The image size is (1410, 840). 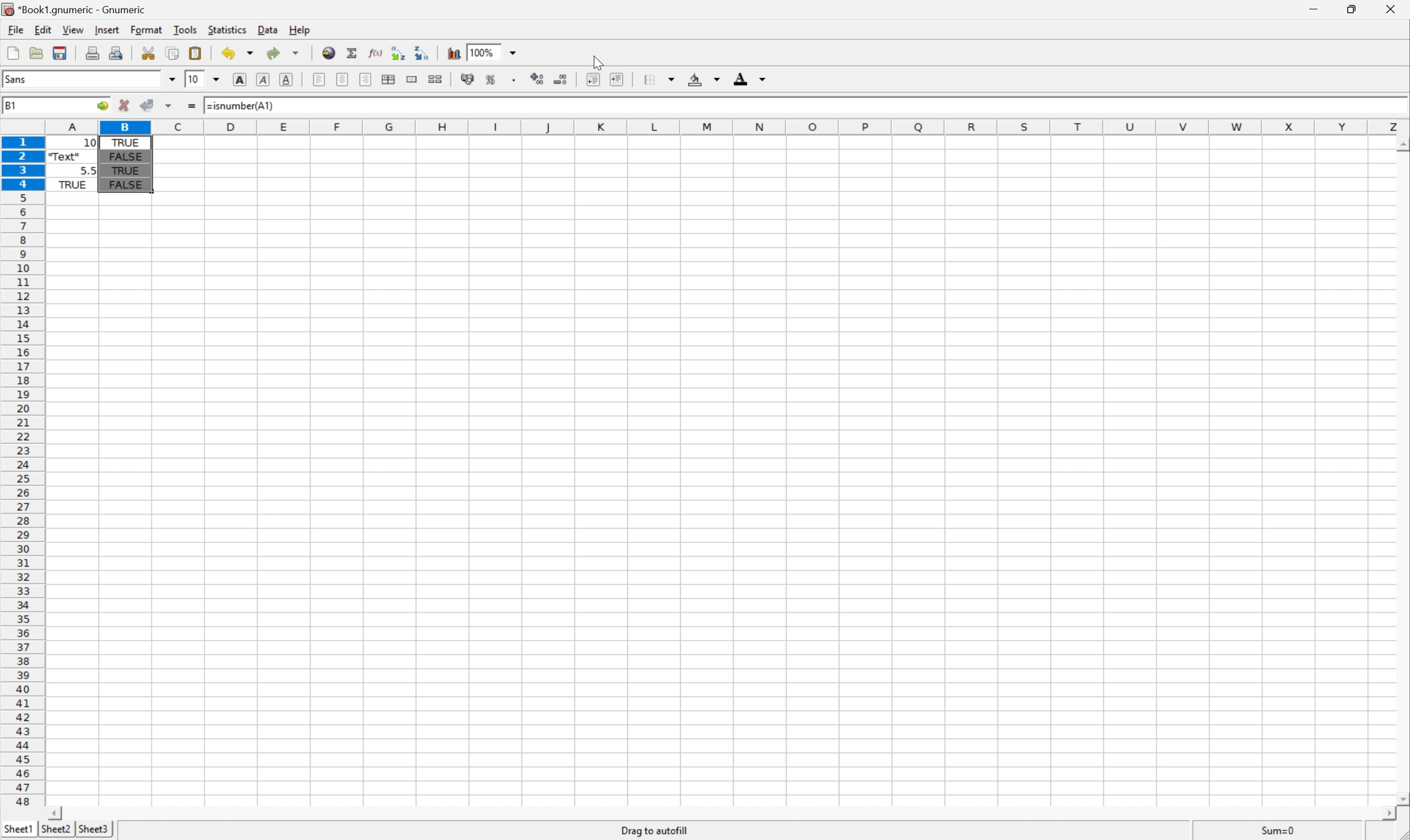 I want to click on Decrease indent, and align the contents to the left, so click(x=591, y=79).